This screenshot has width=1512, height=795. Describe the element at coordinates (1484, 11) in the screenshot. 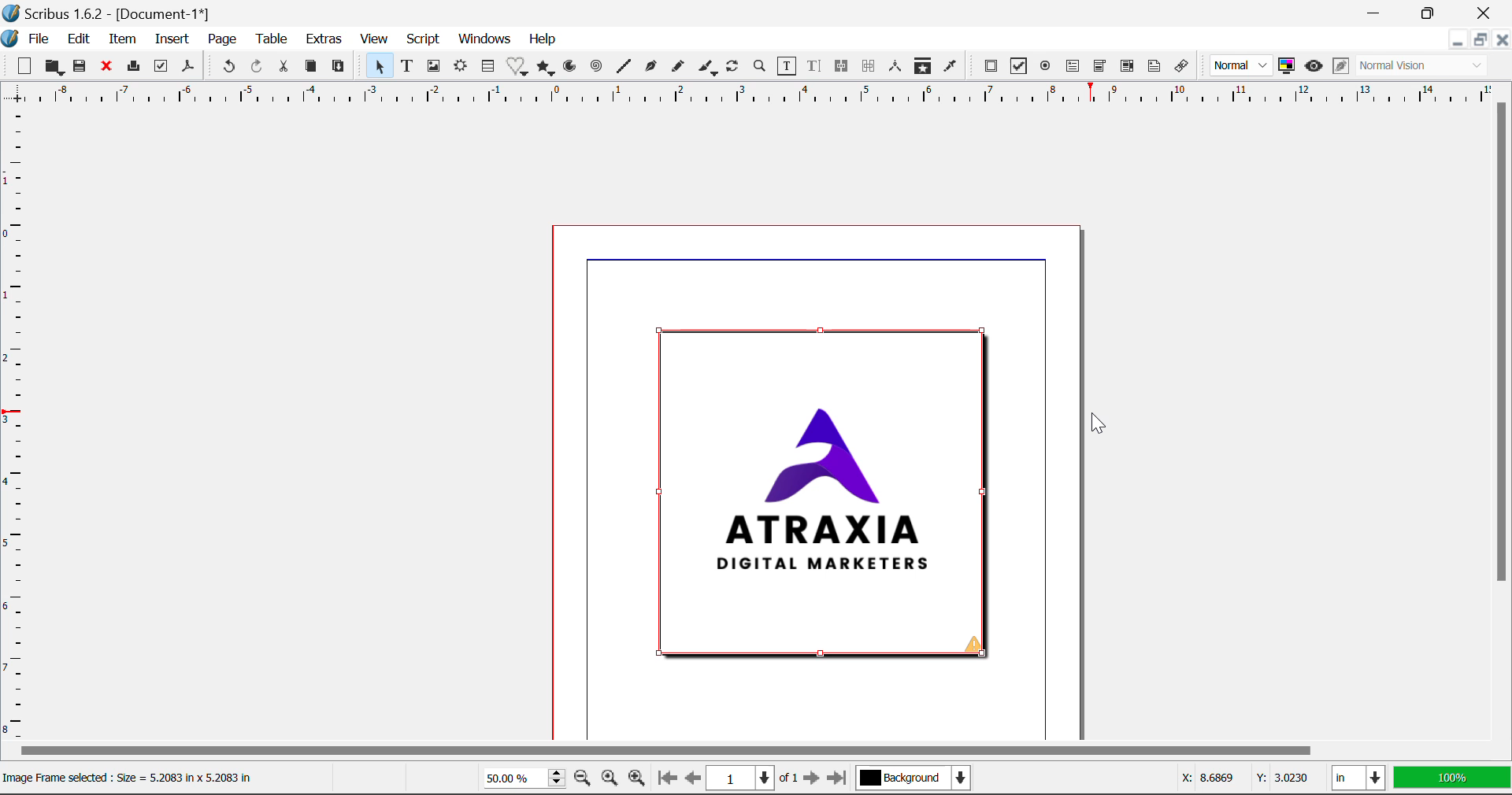

I see `Close` at that location.